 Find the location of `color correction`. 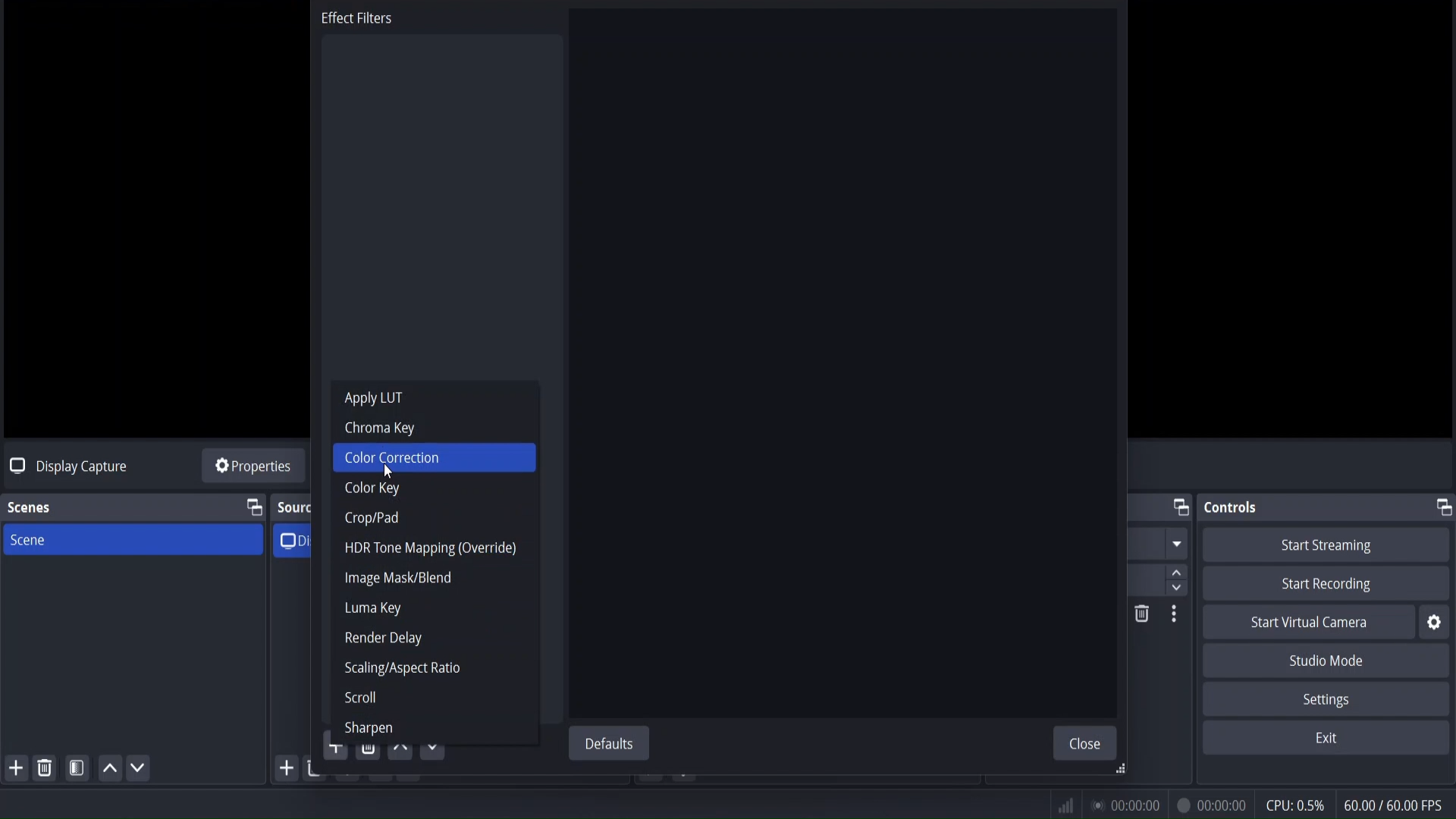

color correction is located at coordinates (393, 457).